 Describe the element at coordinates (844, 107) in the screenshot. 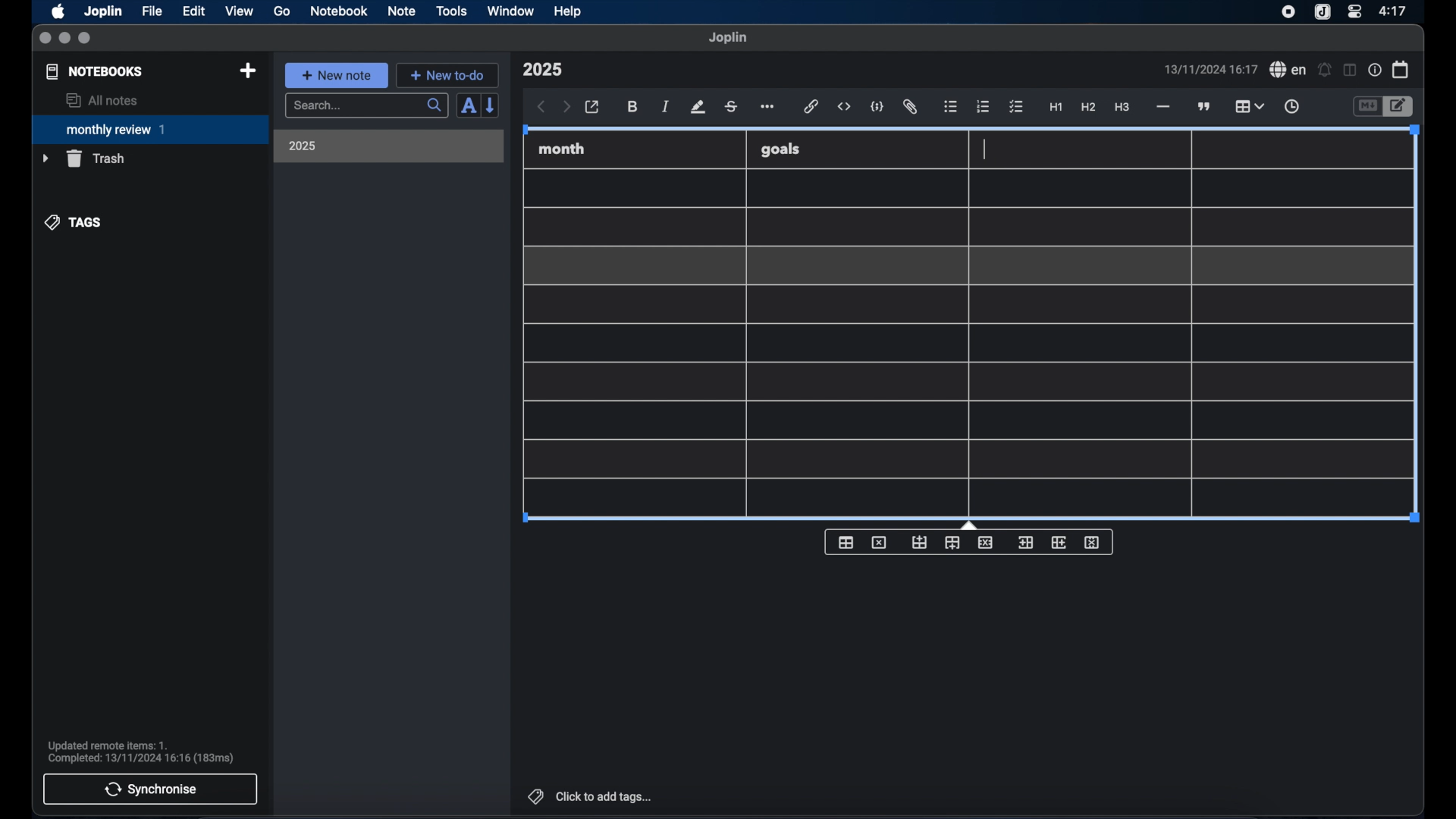

I see `inline code` at that location.